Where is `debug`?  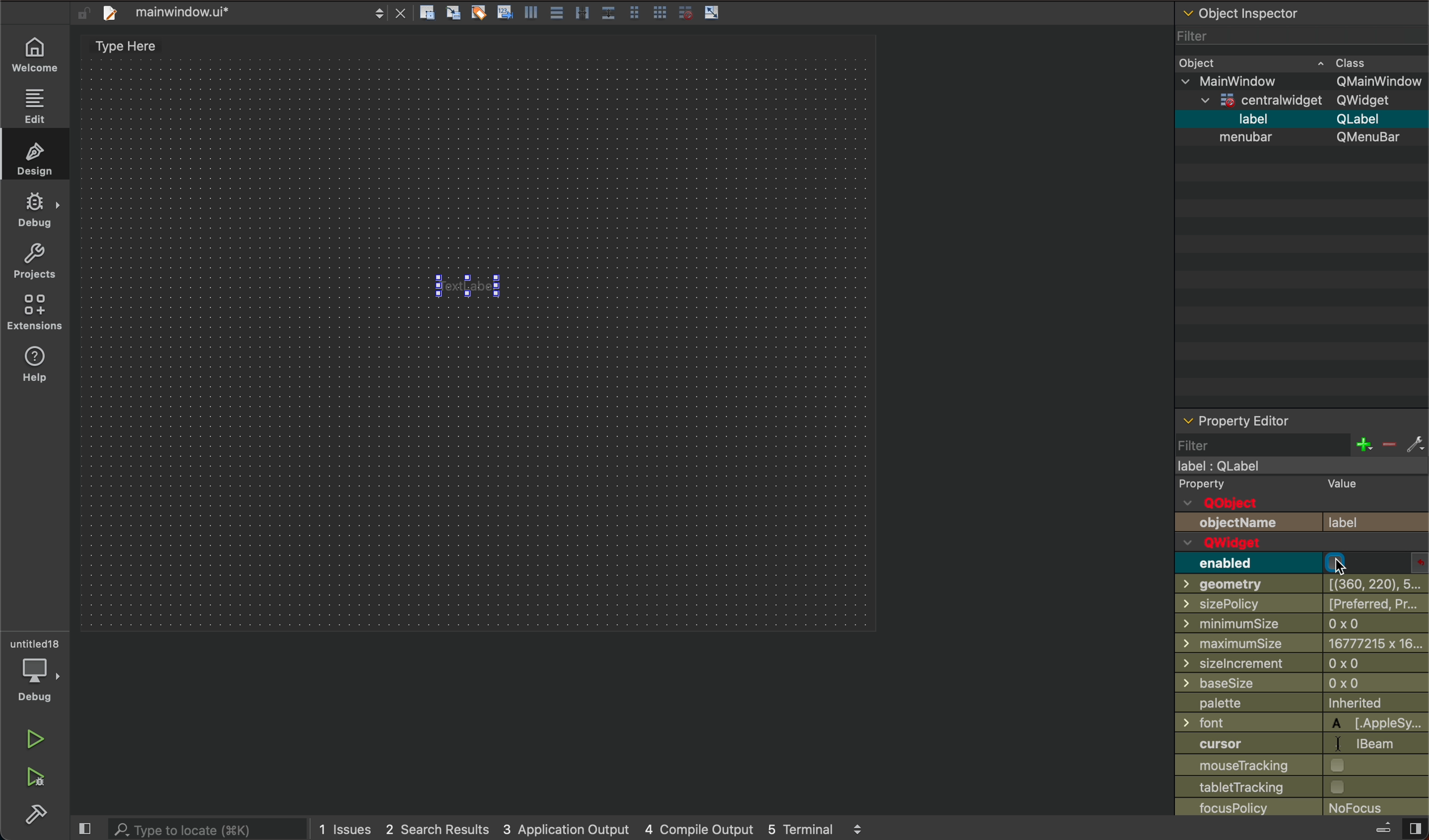
debug is located at coordinates (32, 684).